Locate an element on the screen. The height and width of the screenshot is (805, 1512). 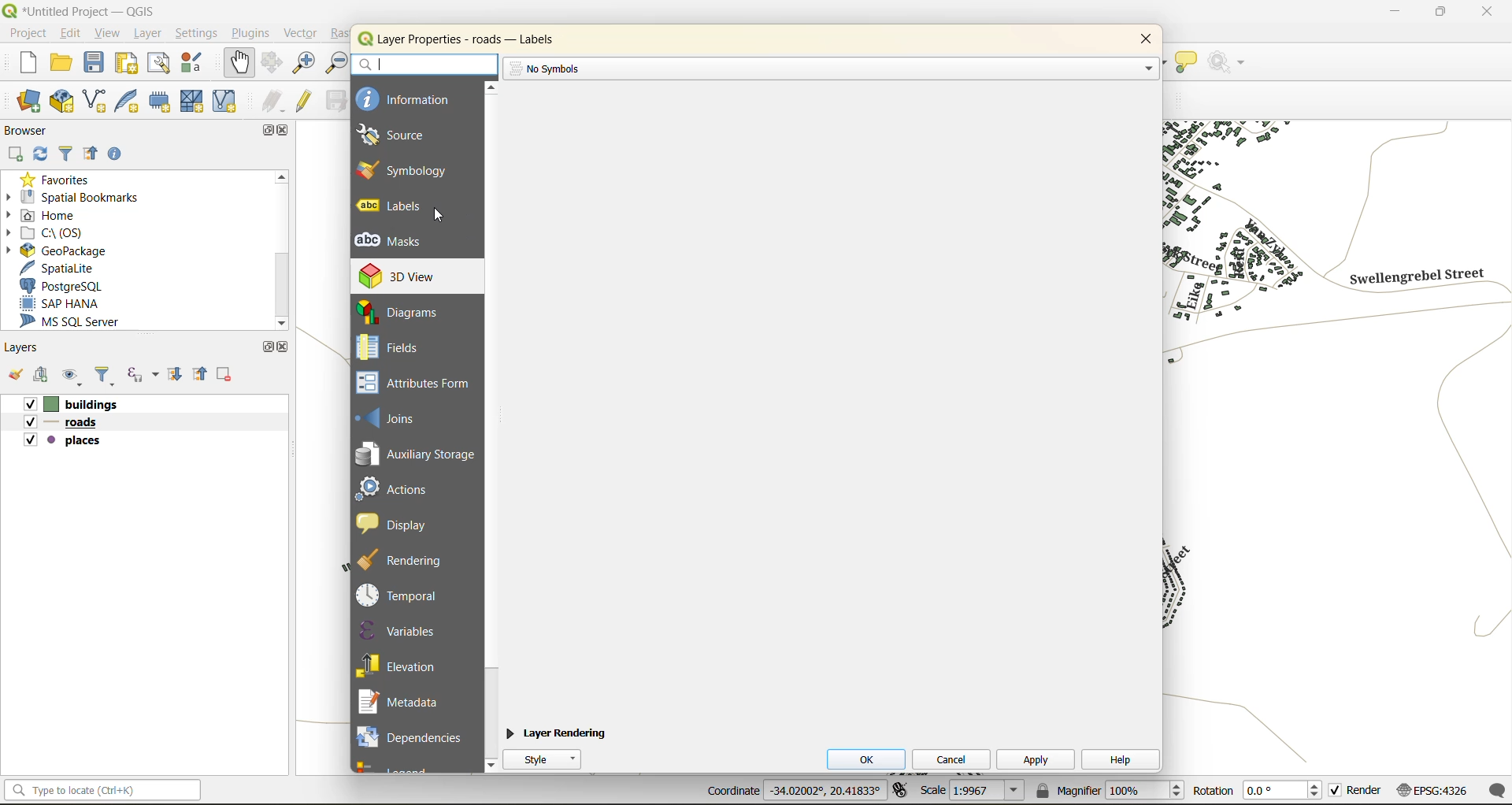
open is located at coordinates (13, 373).